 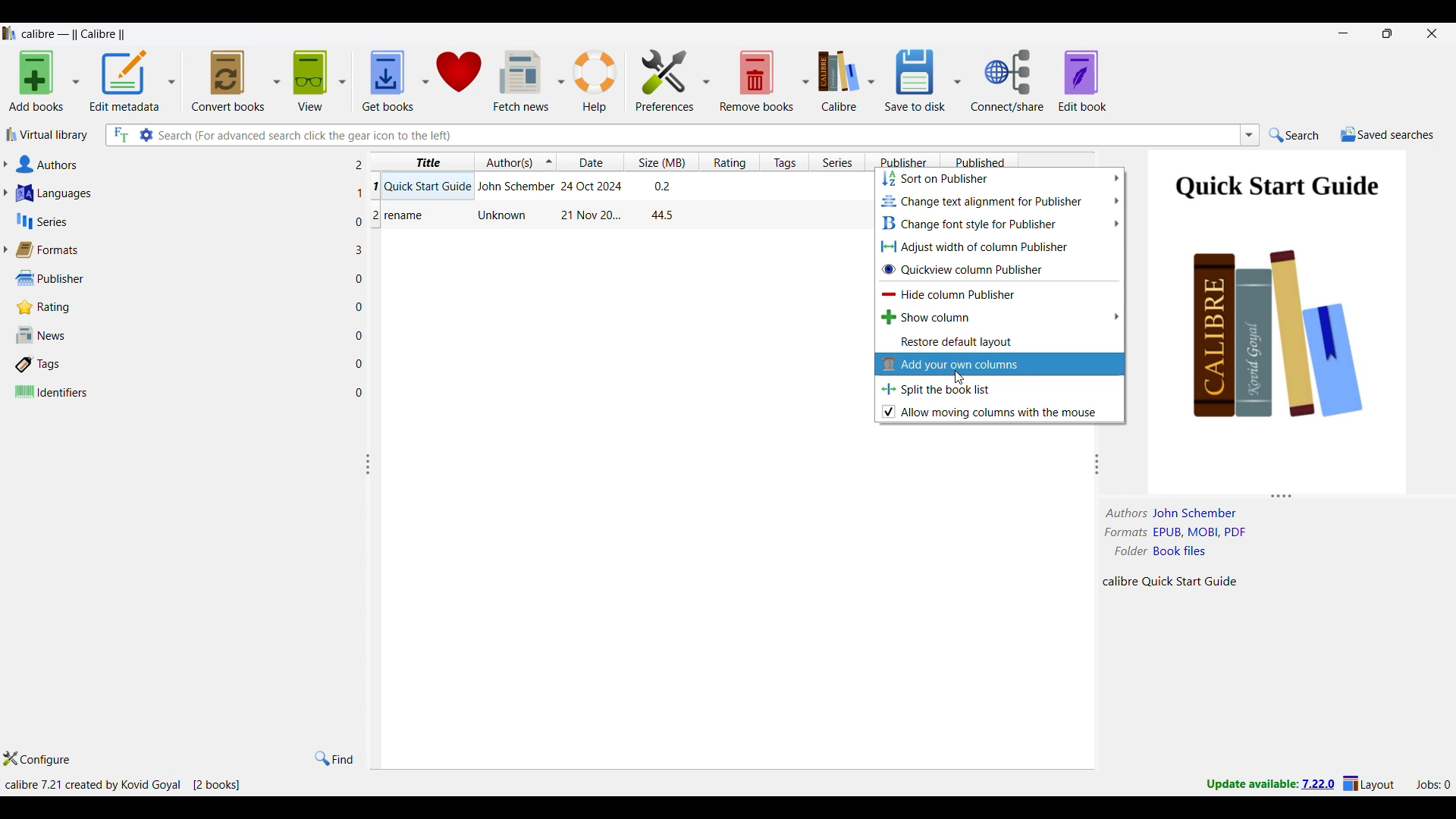 I want to click on 0, so click(x=363, y=391).